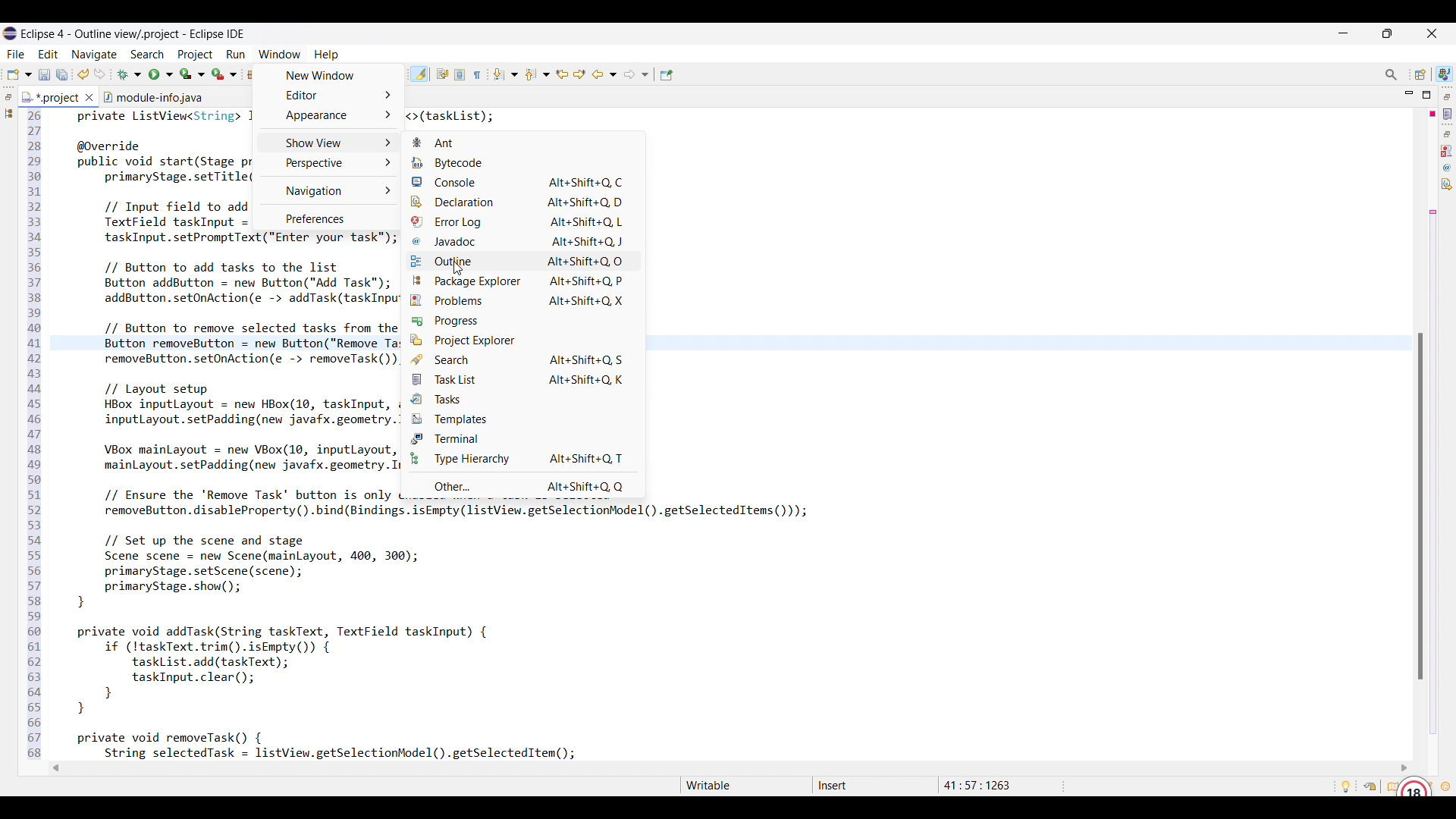 The image size is (1456, 819). I want to click on Progress, so click(521, 321).